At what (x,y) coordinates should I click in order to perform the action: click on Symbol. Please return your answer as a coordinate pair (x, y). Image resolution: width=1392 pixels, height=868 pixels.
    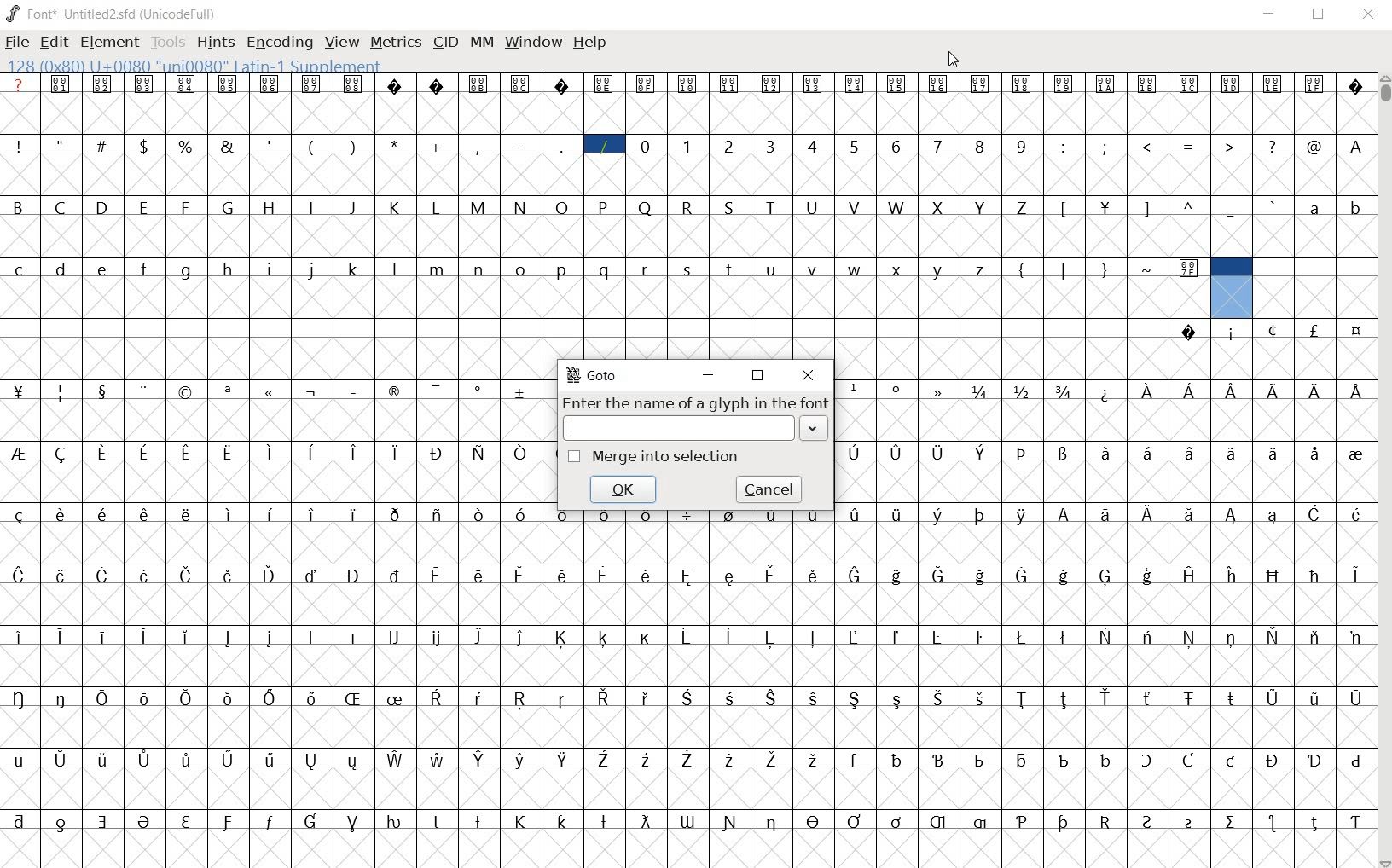
    Looking at the image, I should click on (356, 513).